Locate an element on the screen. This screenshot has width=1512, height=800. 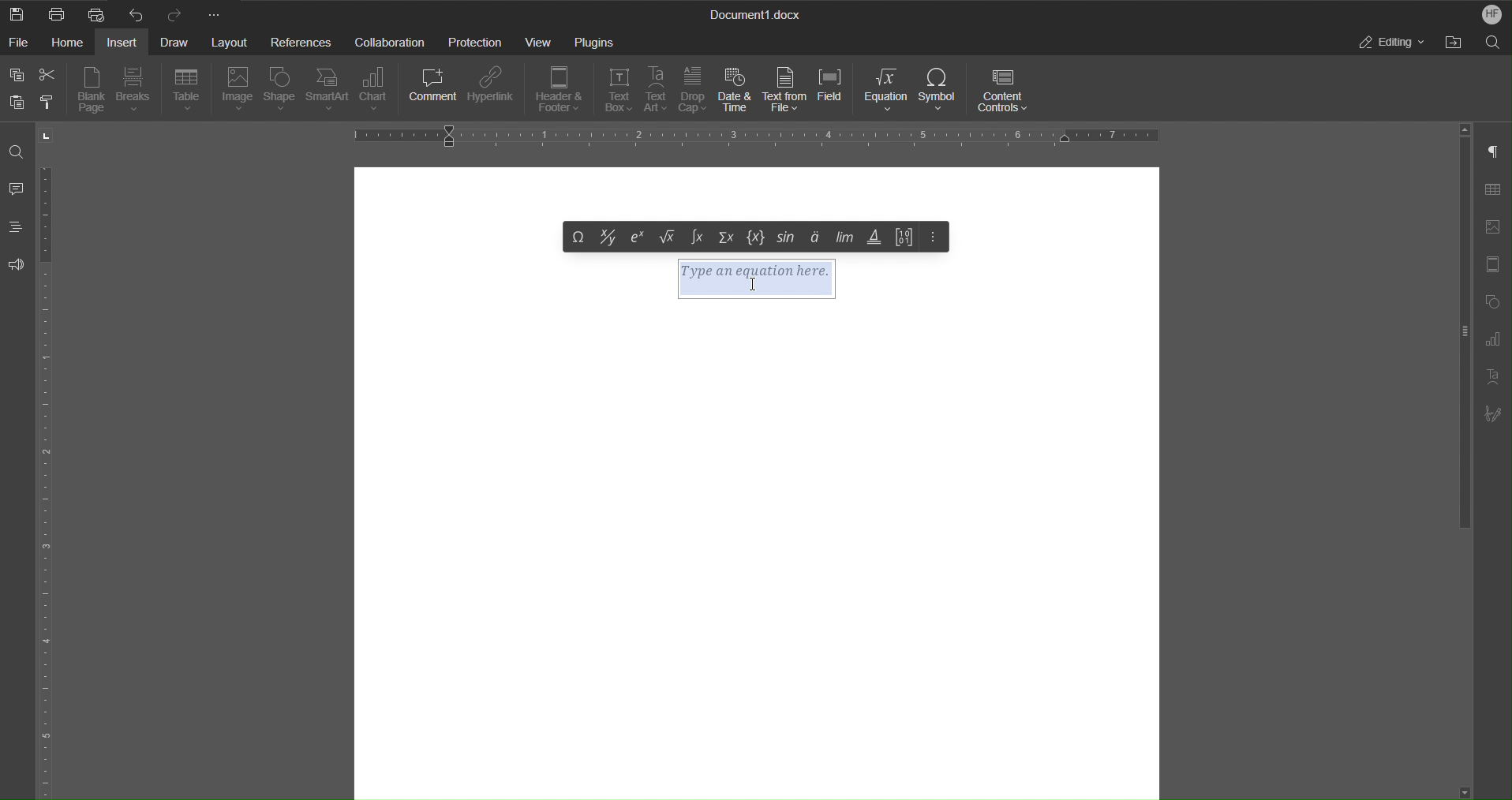
Table is located at coordinates (185, 91).